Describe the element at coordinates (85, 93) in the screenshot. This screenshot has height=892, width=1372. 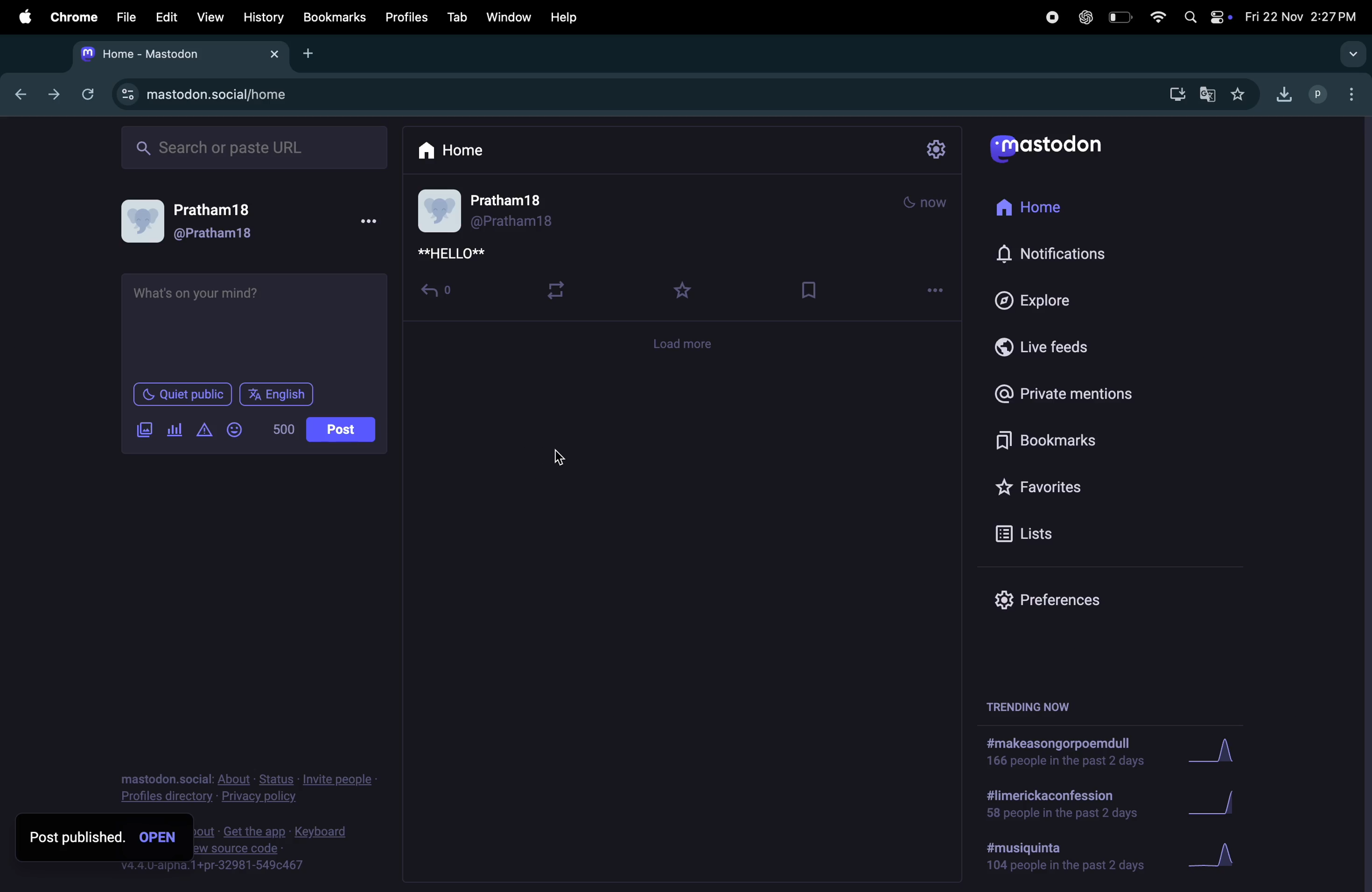
I see `refresh` at that location.